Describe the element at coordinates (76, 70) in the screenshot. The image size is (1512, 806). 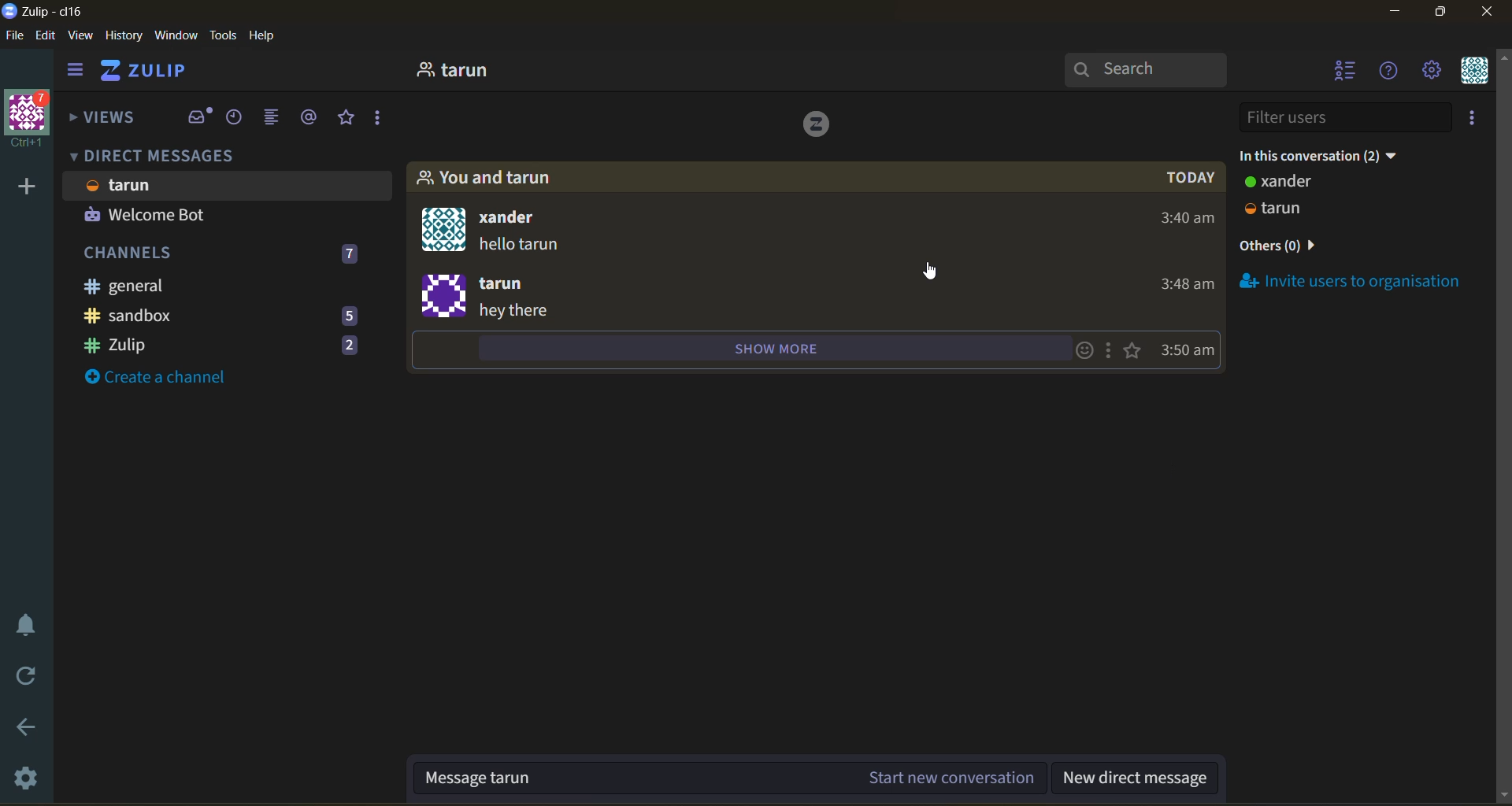
I see `hide left side bar` at that location.